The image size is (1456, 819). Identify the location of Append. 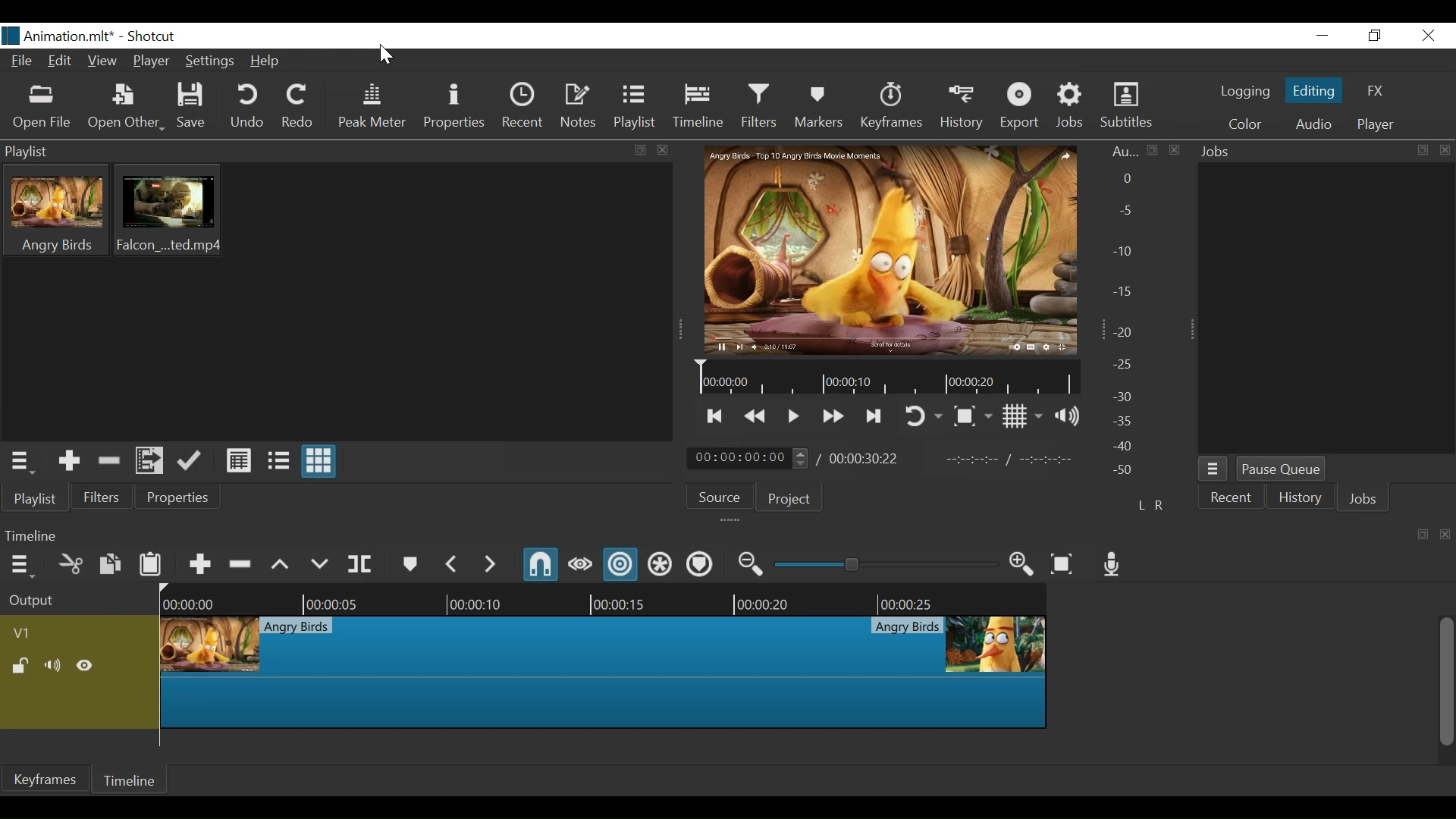
(199, 562).